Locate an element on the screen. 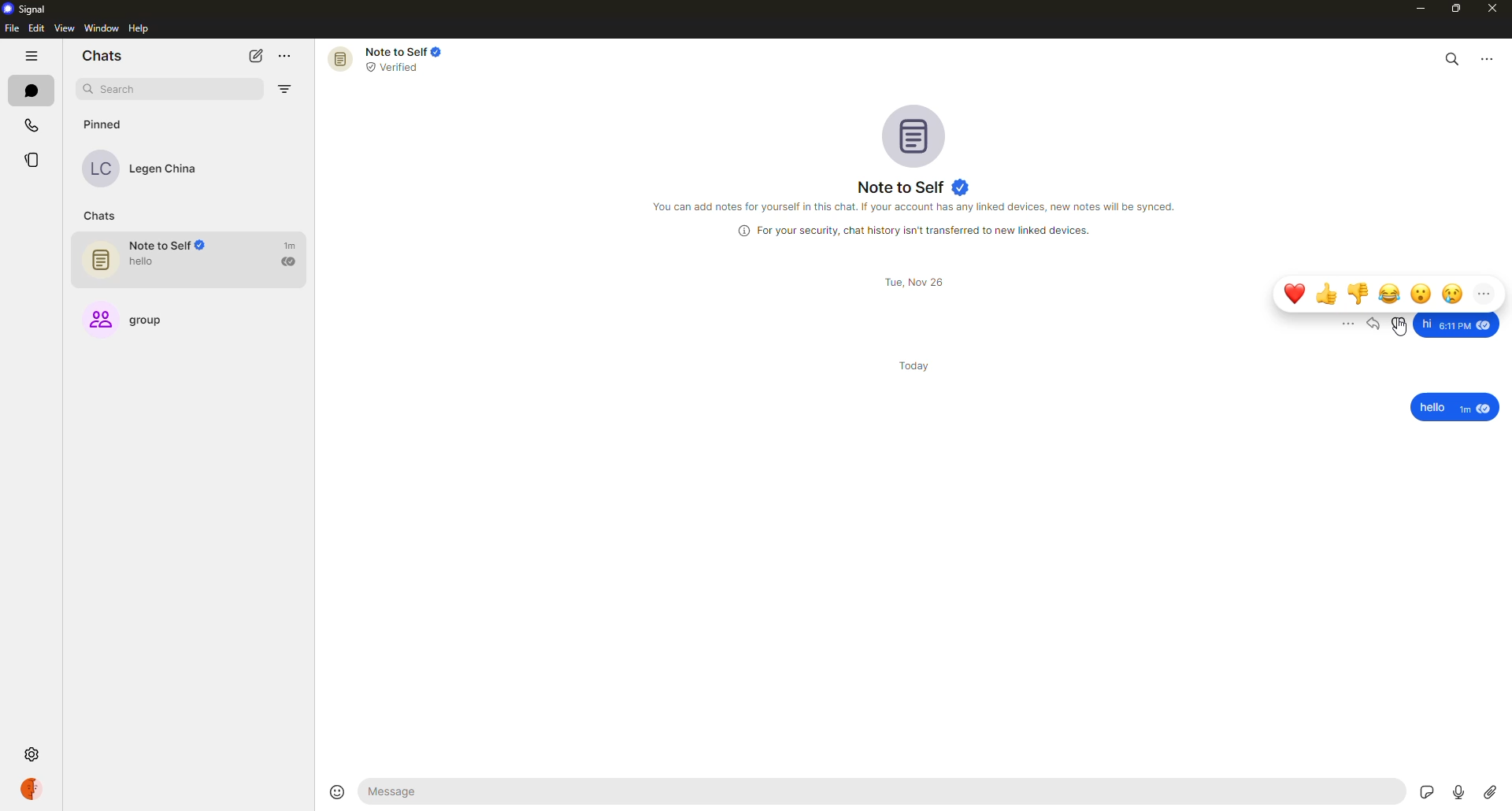 The width and height of the screenshot is (1512, 811). view is located at coordinates (64, 28).